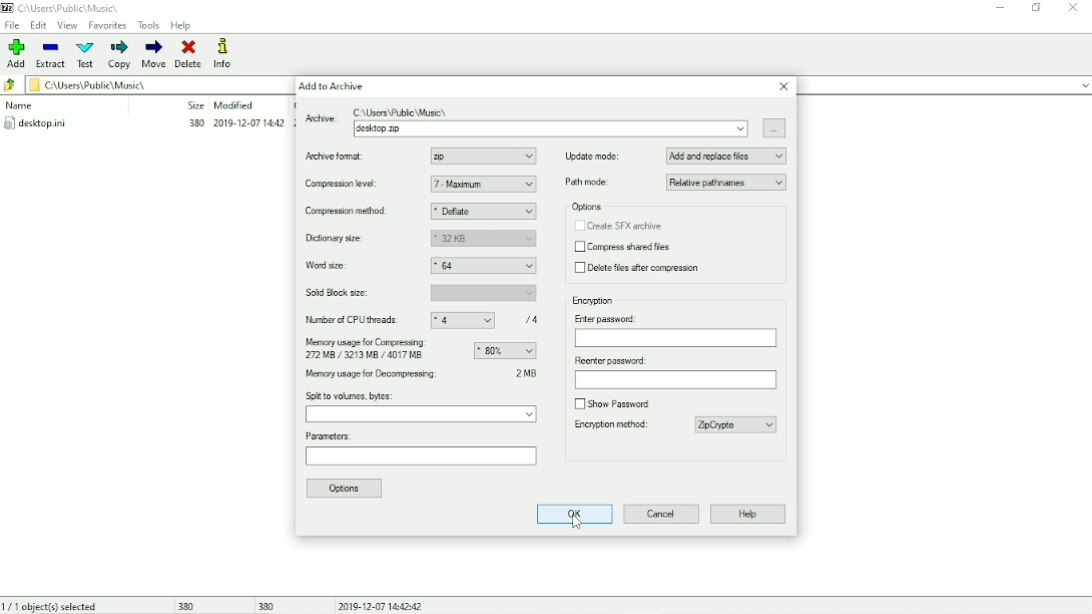 This screenshot has height=614, width=1092. Describe the element at coordinates (320, 117) in the screenshot. I see `Active` at that location.